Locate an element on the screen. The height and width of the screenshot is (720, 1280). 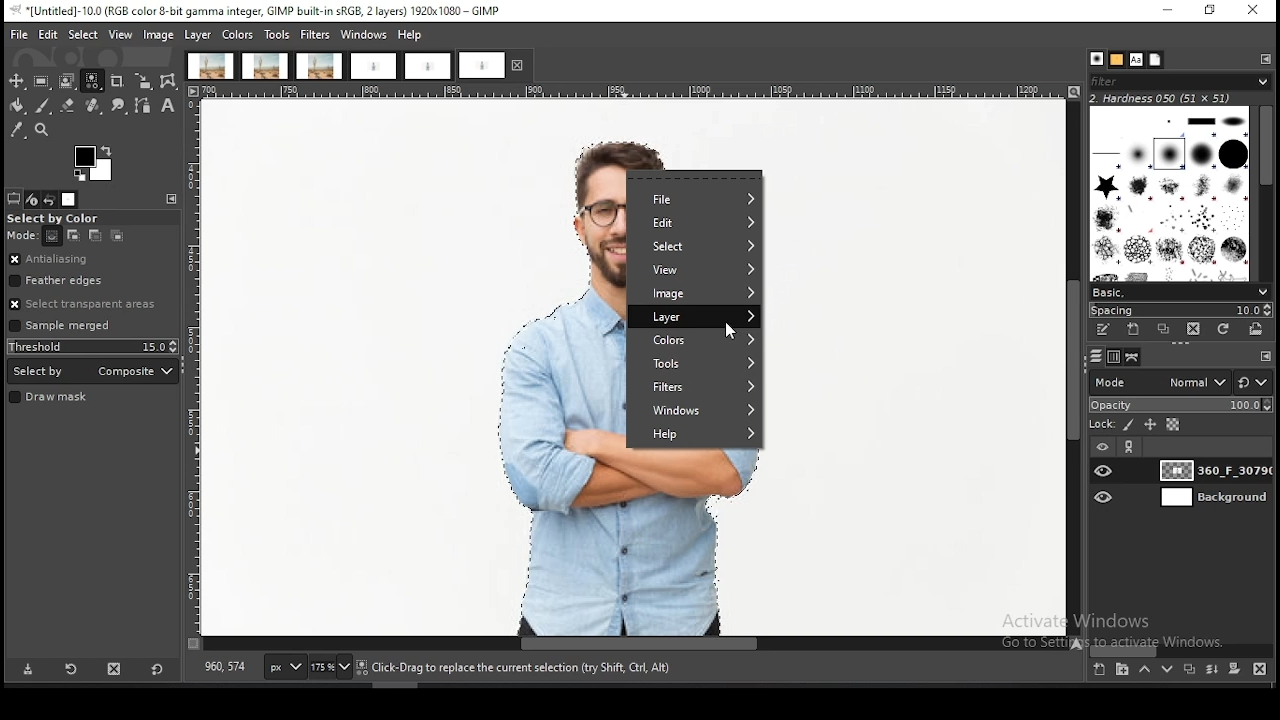
foreground select tool is located at coordinates (67, 81).